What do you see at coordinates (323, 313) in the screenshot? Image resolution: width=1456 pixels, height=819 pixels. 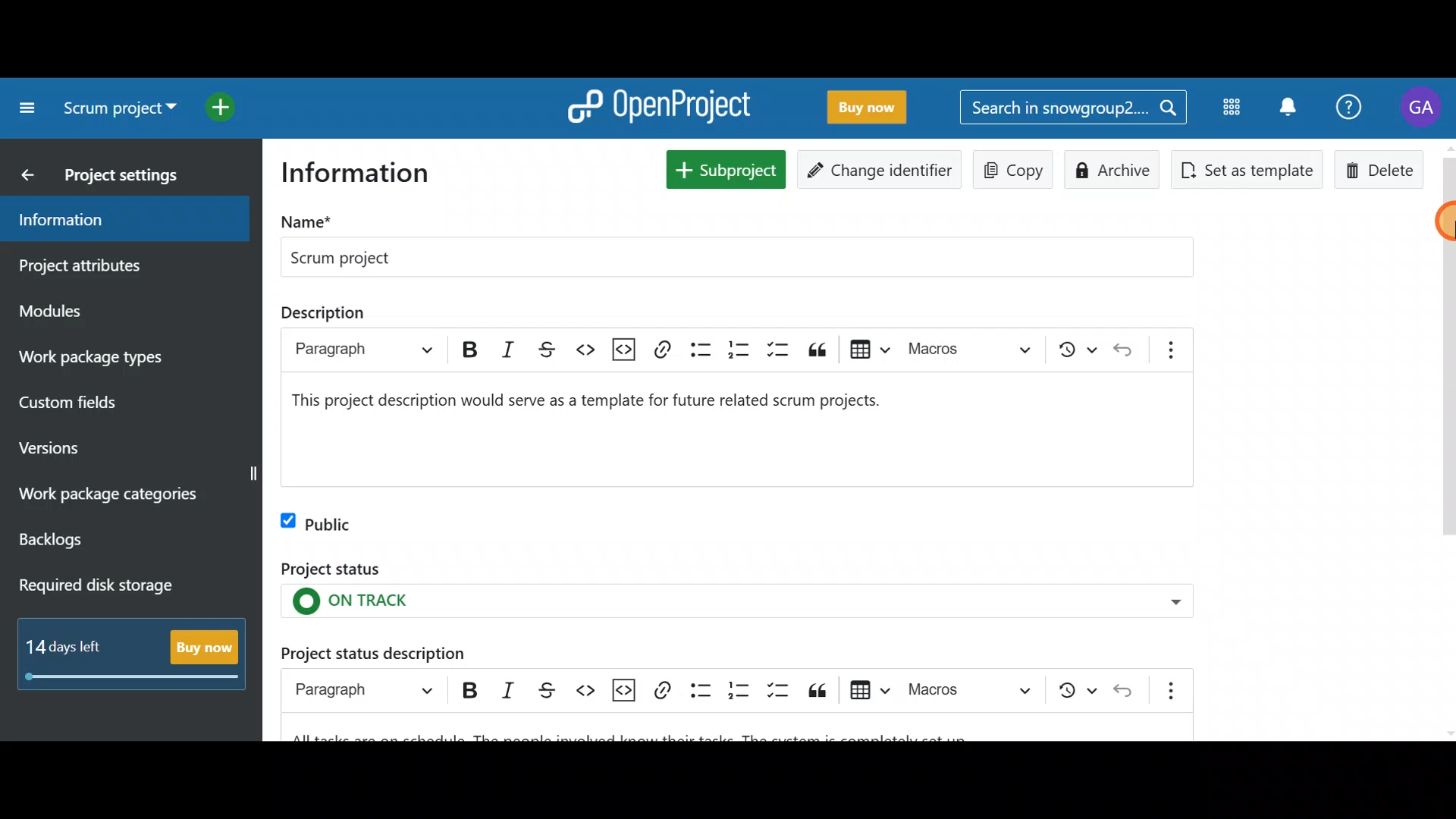 I see `description` at bounding box center [323, 313].